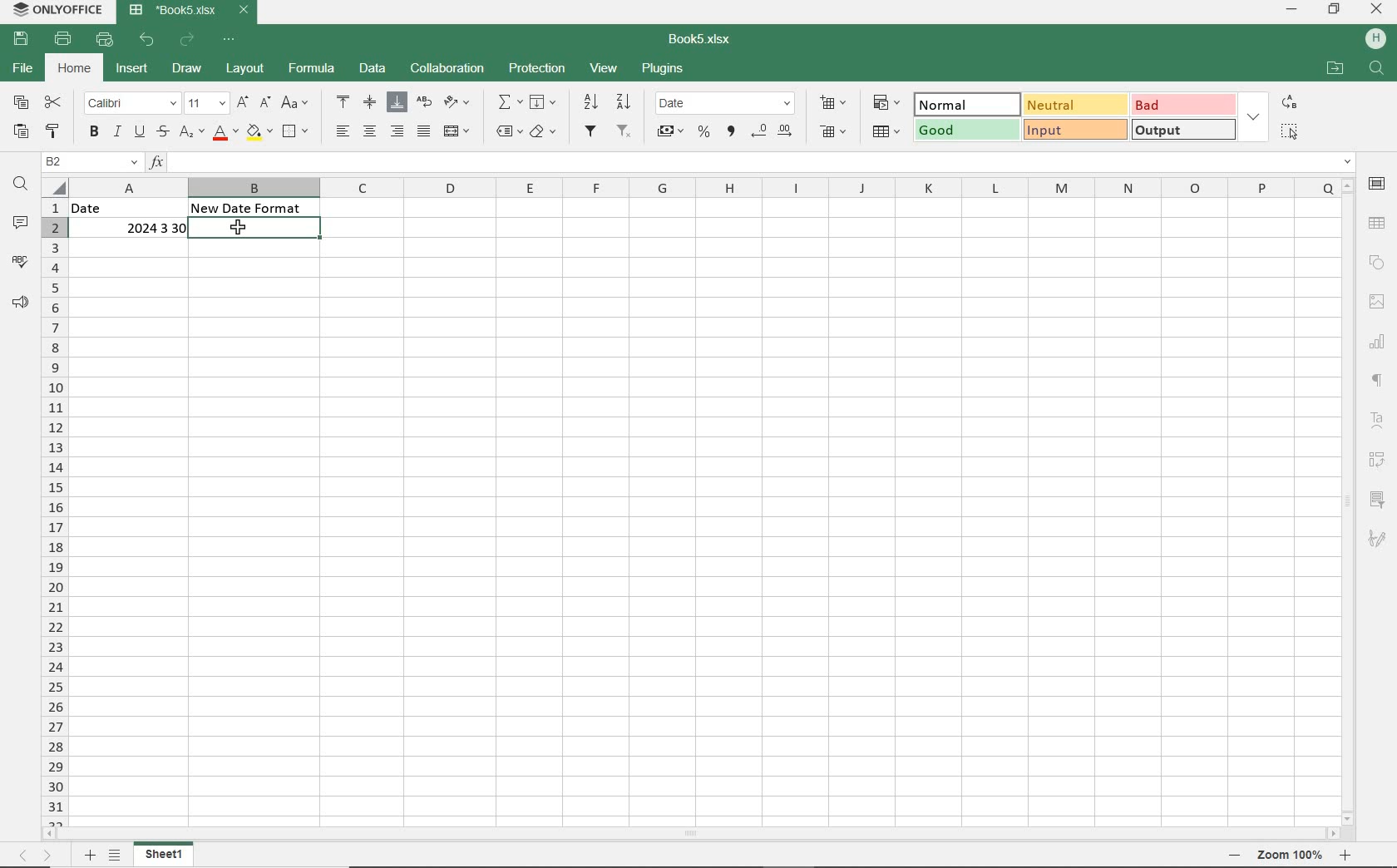 This screenshot has width=1397, height=868. I want to click on BAD, so click(1183, 104).